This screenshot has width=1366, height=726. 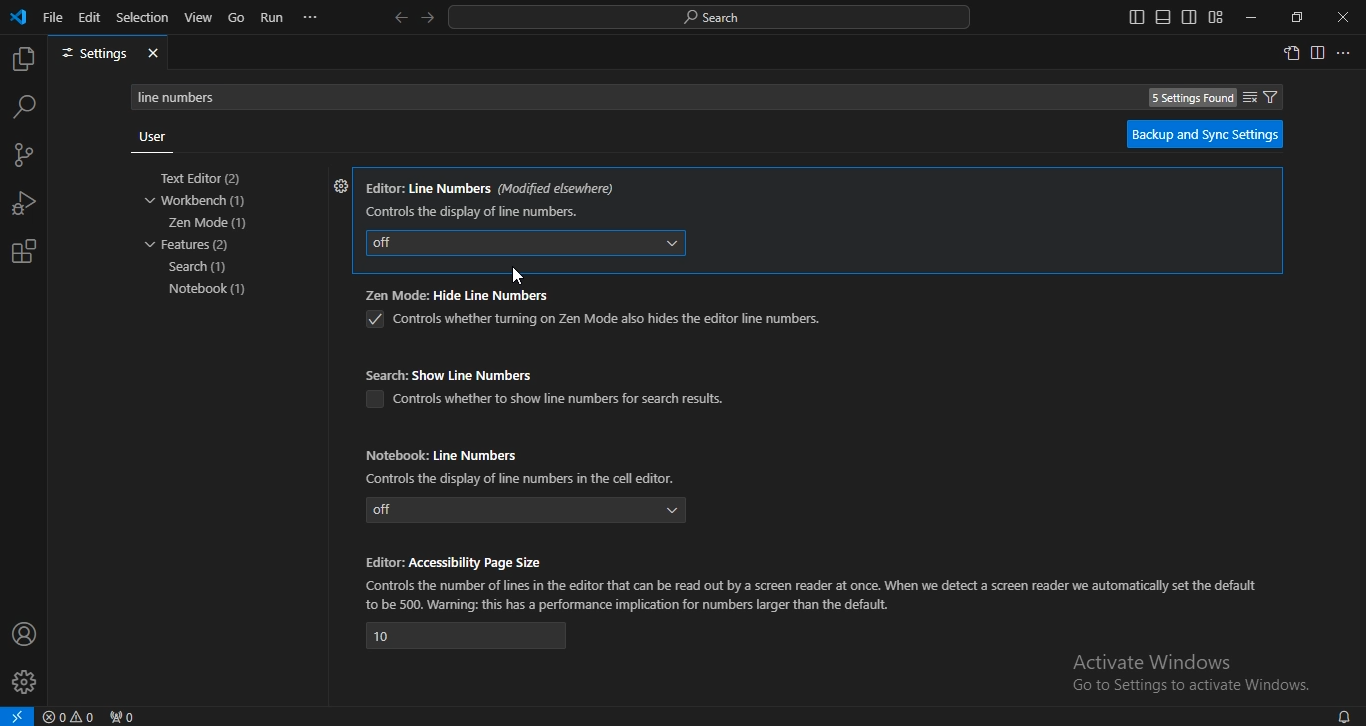 I want to click on Notebook: Line Numbers.
Controls the display of line numbers in the cell editor., so click(x=526, y=464).